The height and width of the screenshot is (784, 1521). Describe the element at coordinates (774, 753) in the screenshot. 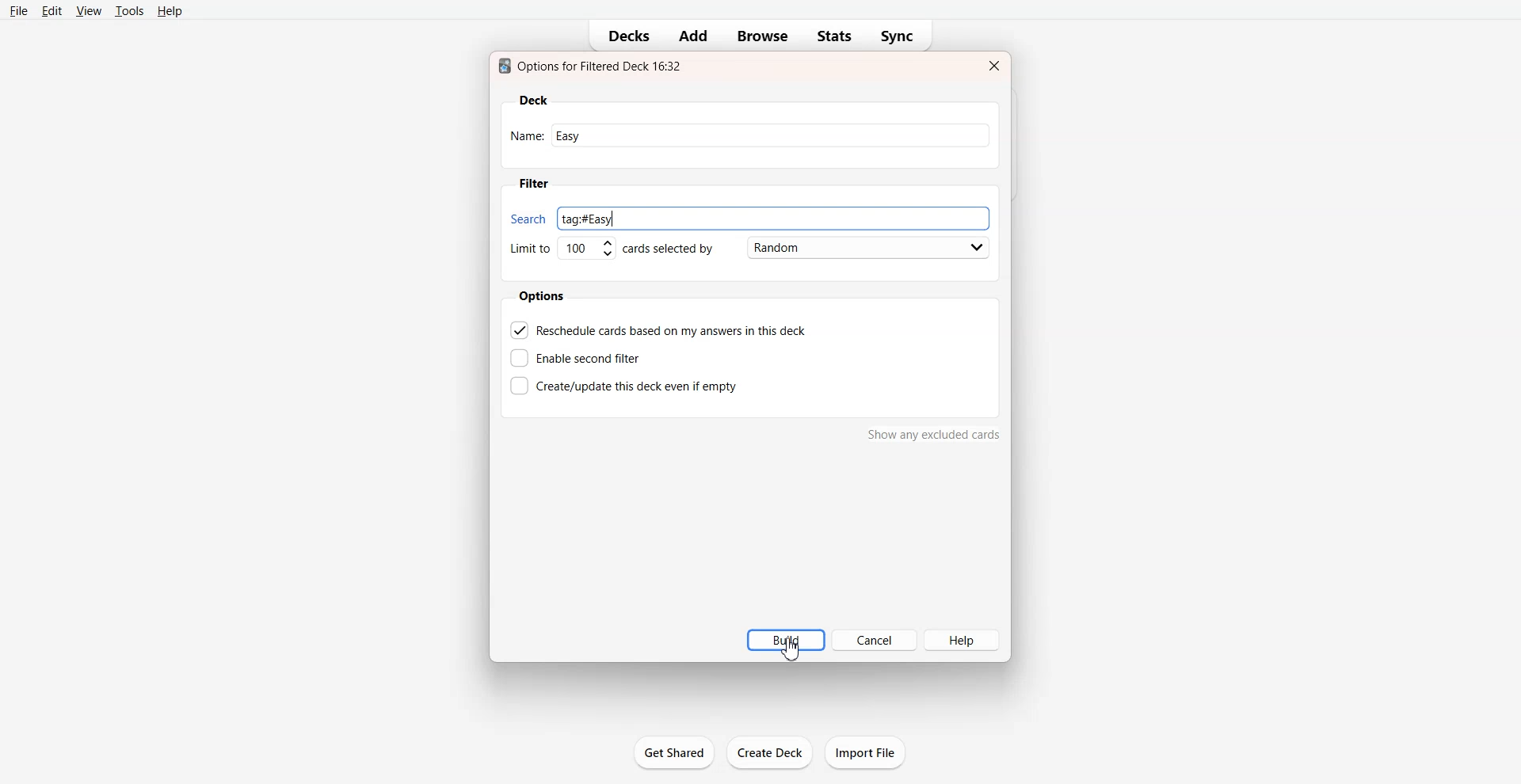

I see `create deck` at that location.